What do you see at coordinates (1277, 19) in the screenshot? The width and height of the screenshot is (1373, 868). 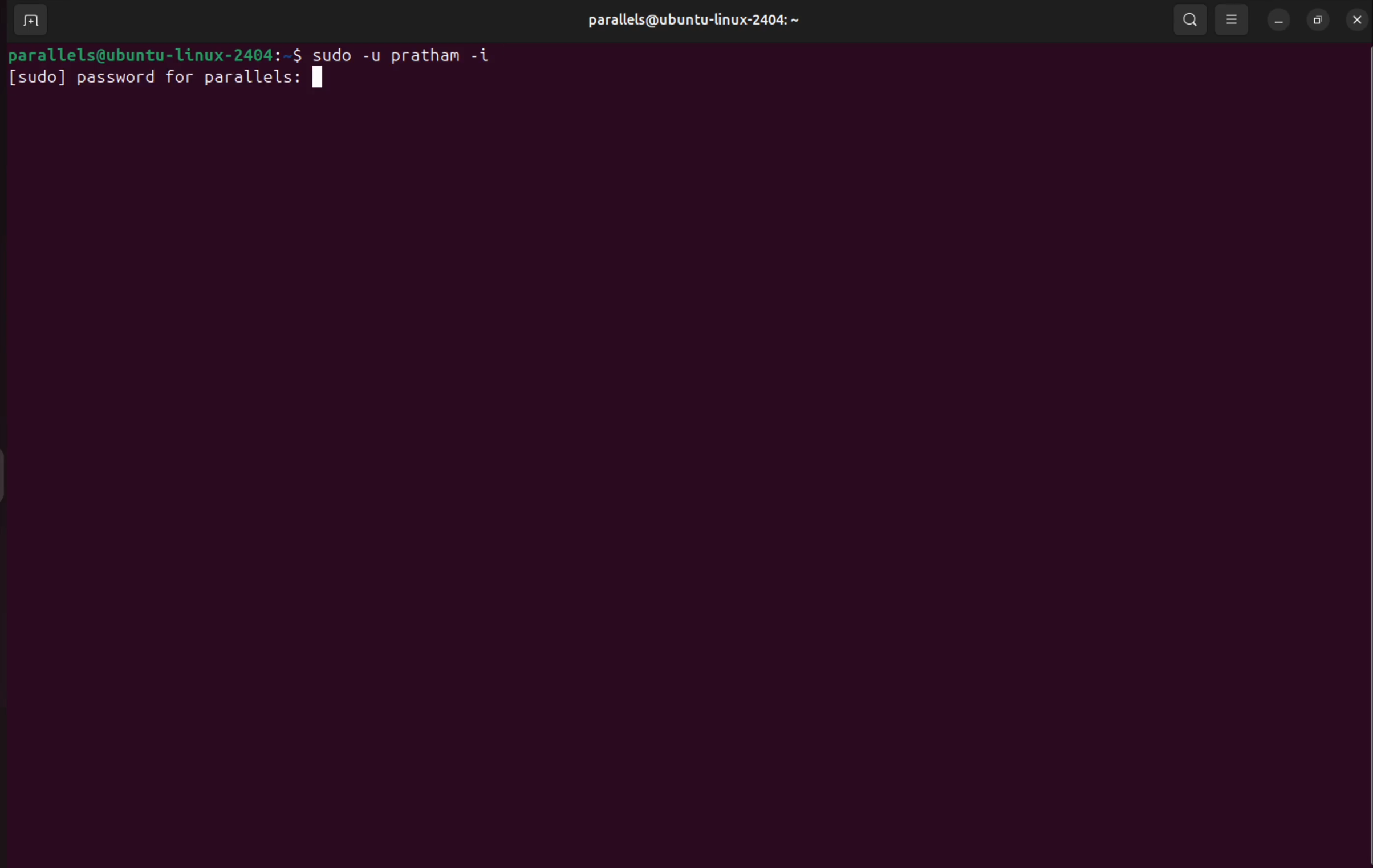 I see `minimize` at bounding box center [1277, 19].